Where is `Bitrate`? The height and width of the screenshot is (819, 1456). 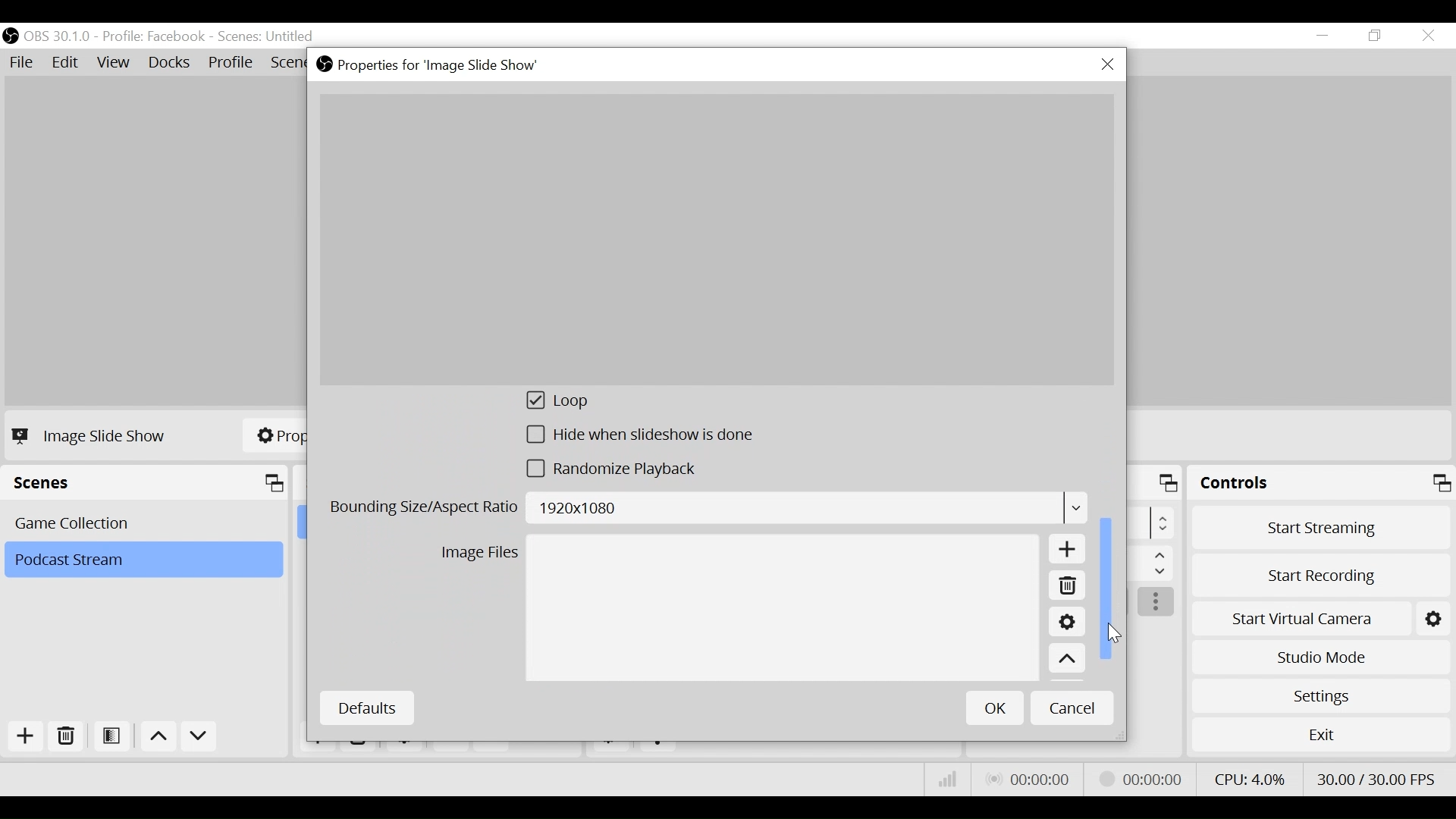 Bitrate is located at coordinates (948, 780).